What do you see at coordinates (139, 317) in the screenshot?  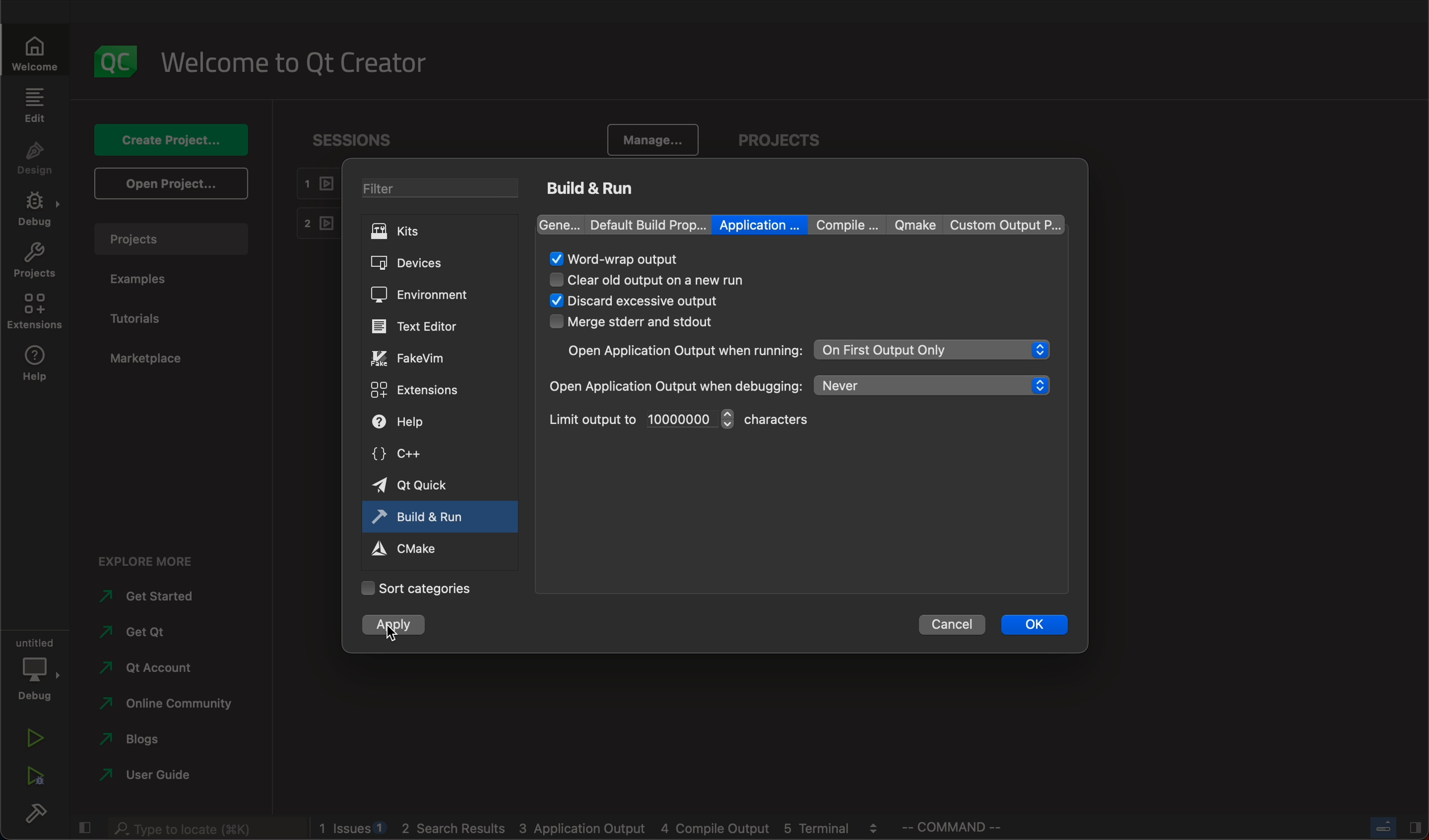 I see `tutorial` at bounding box center [139, 317].